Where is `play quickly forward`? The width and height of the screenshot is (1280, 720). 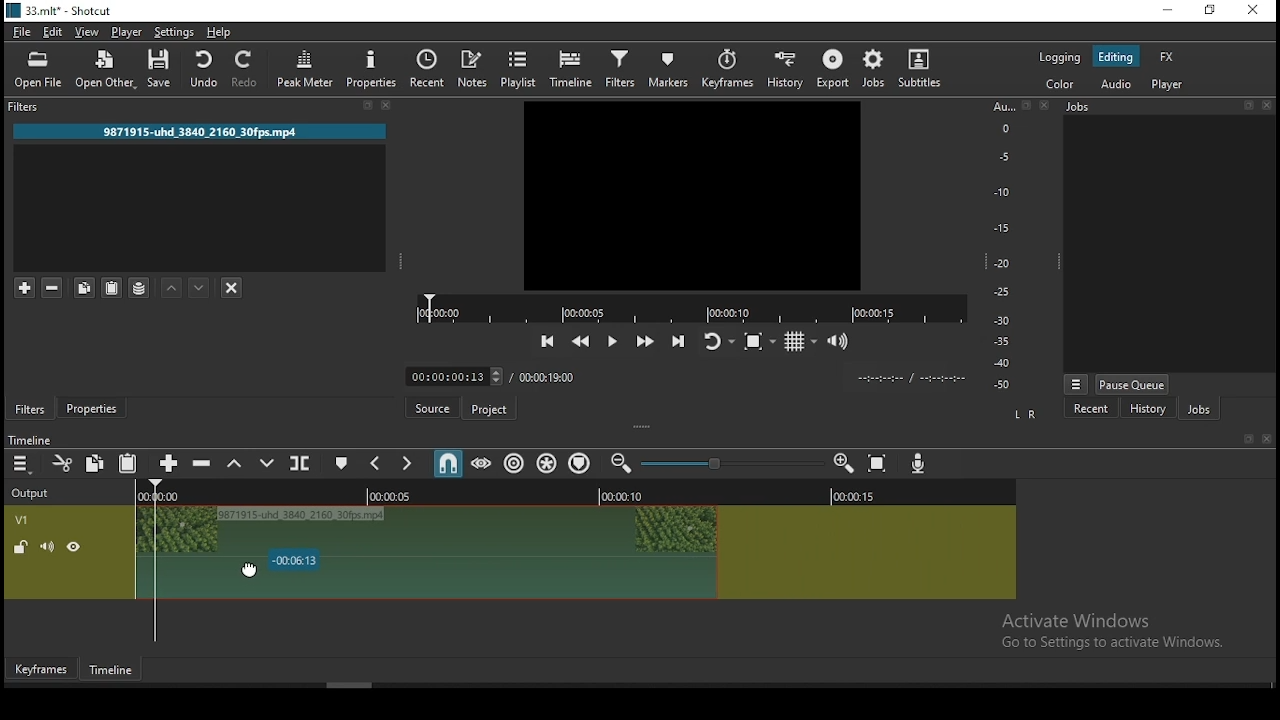
play quickly forward is located at coordinates (647, 339).